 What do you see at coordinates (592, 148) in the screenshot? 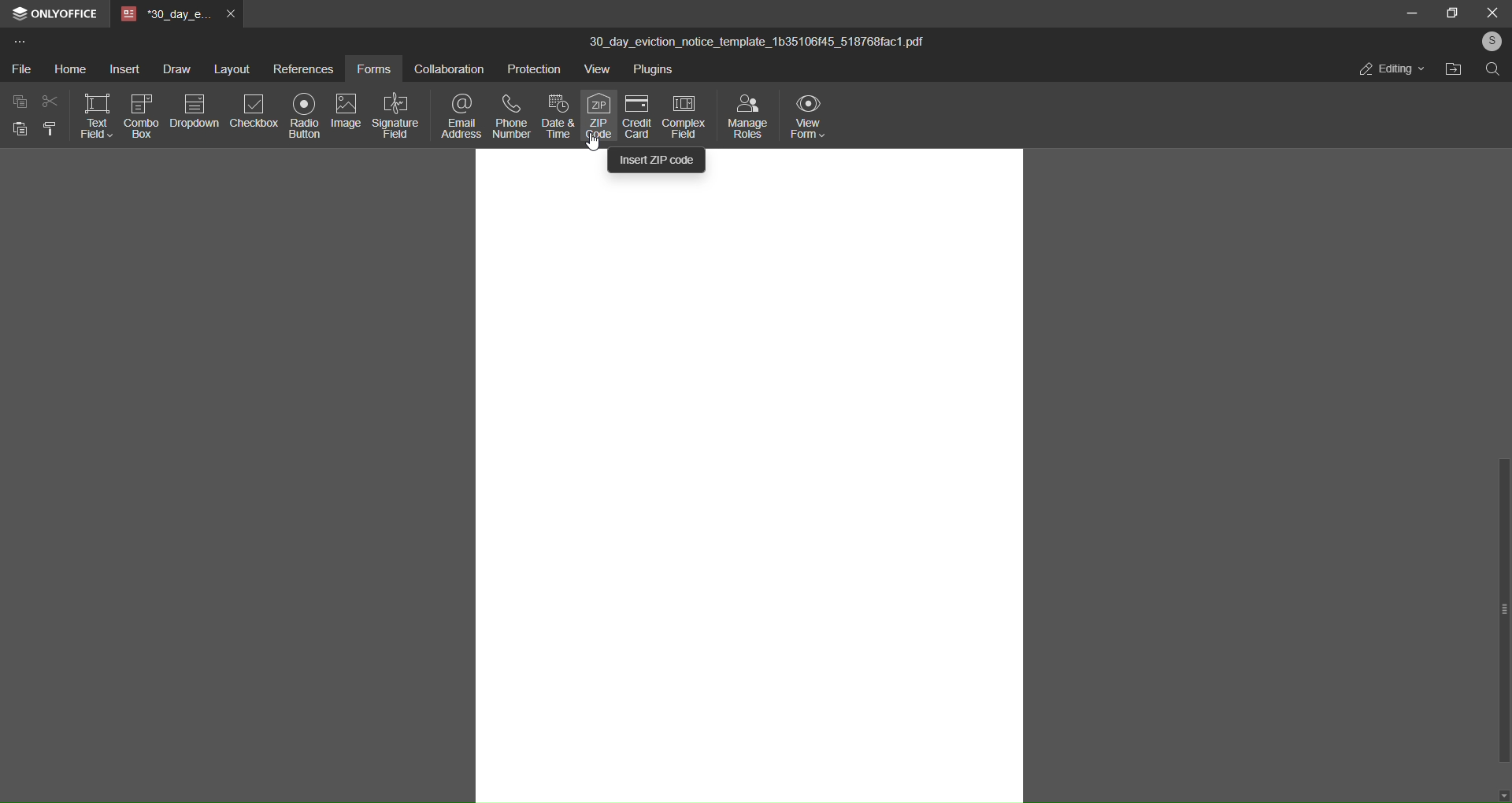
I see `Cursor` at bounding box center [592, 148].